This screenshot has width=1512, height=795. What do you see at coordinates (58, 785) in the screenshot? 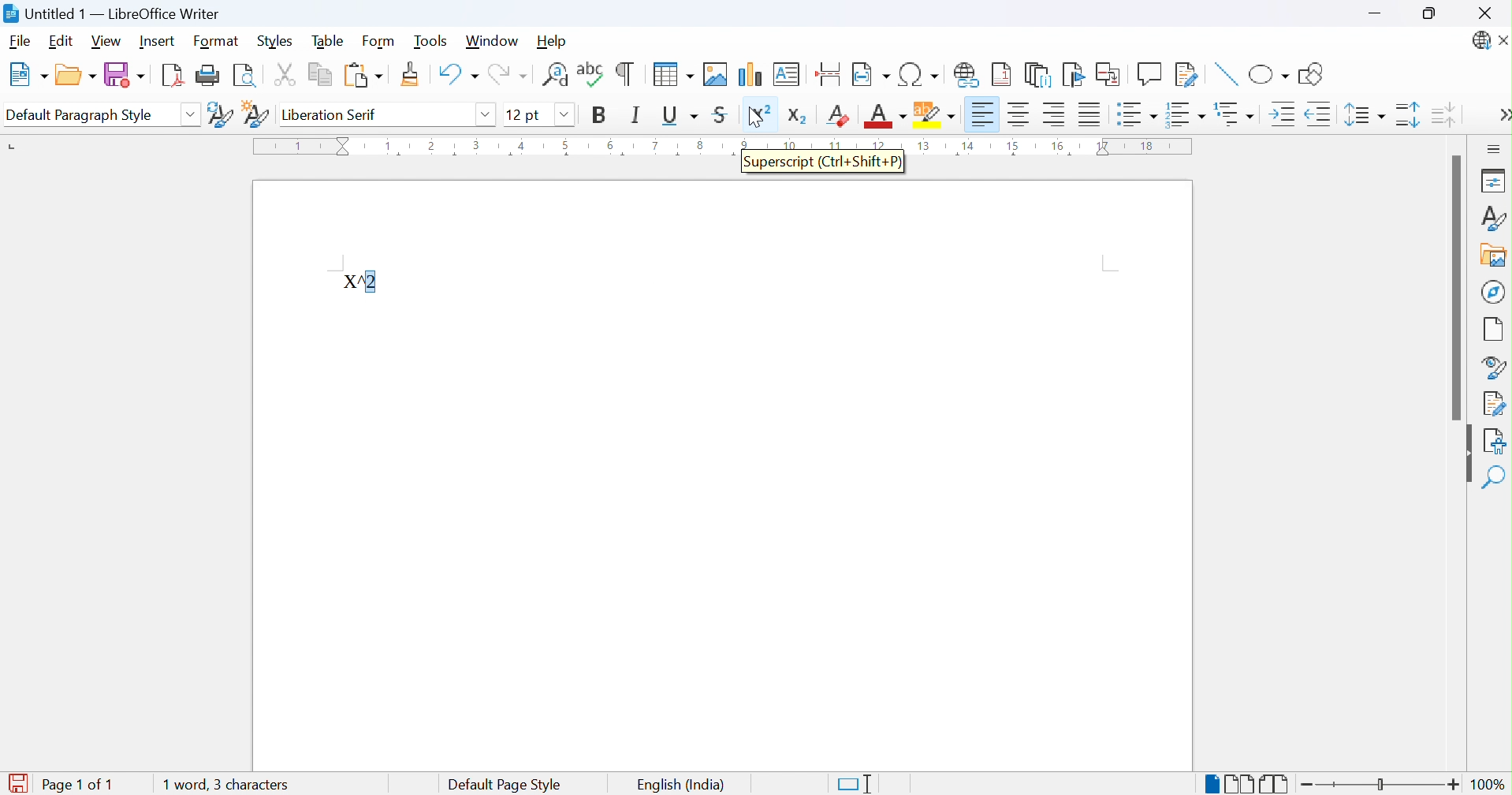
I see `Page 1 of 1` at bounding box center [58, 785].